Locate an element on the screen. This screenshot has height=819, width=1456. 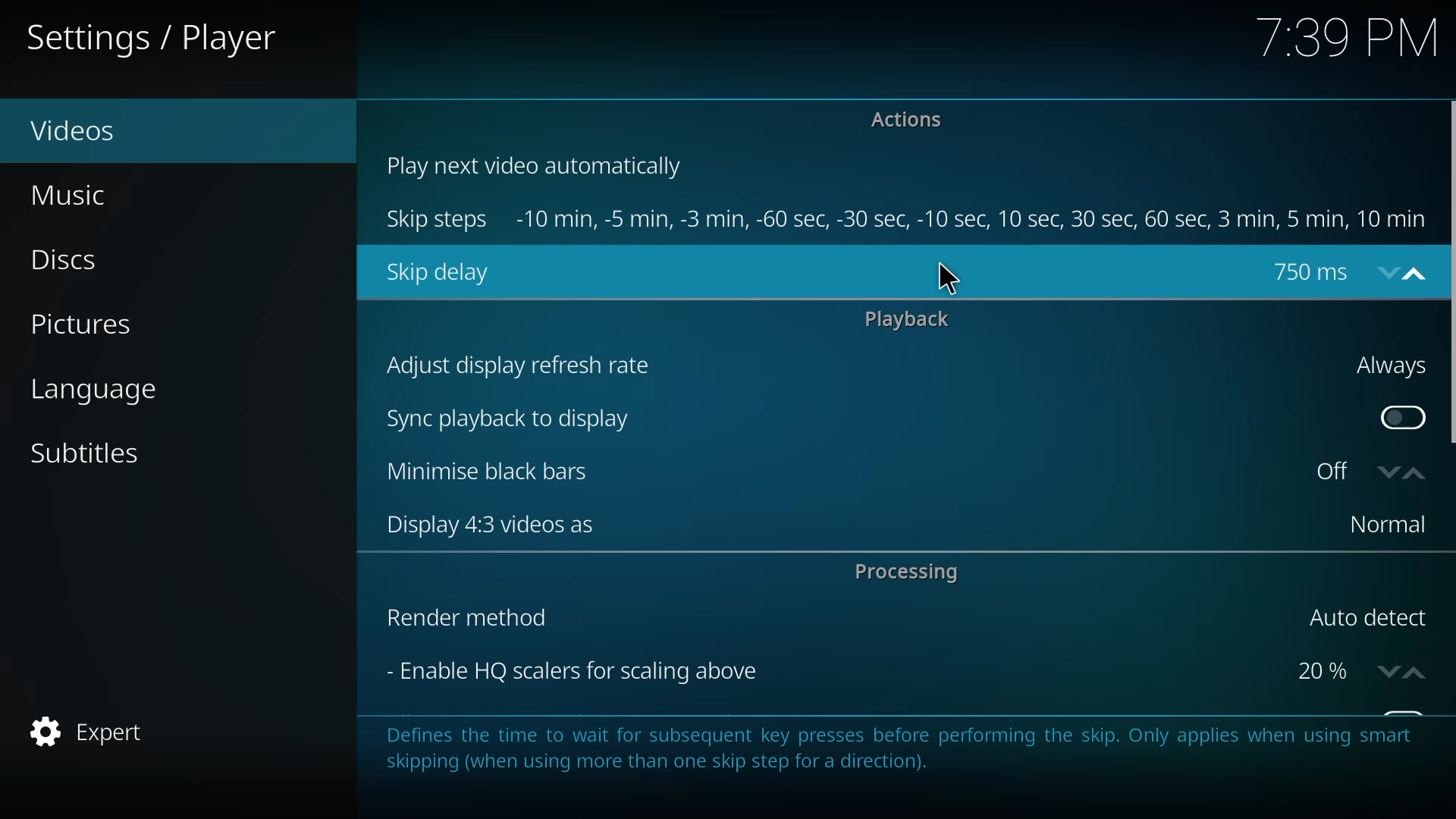
pictures is located at coordinates (80, 326).